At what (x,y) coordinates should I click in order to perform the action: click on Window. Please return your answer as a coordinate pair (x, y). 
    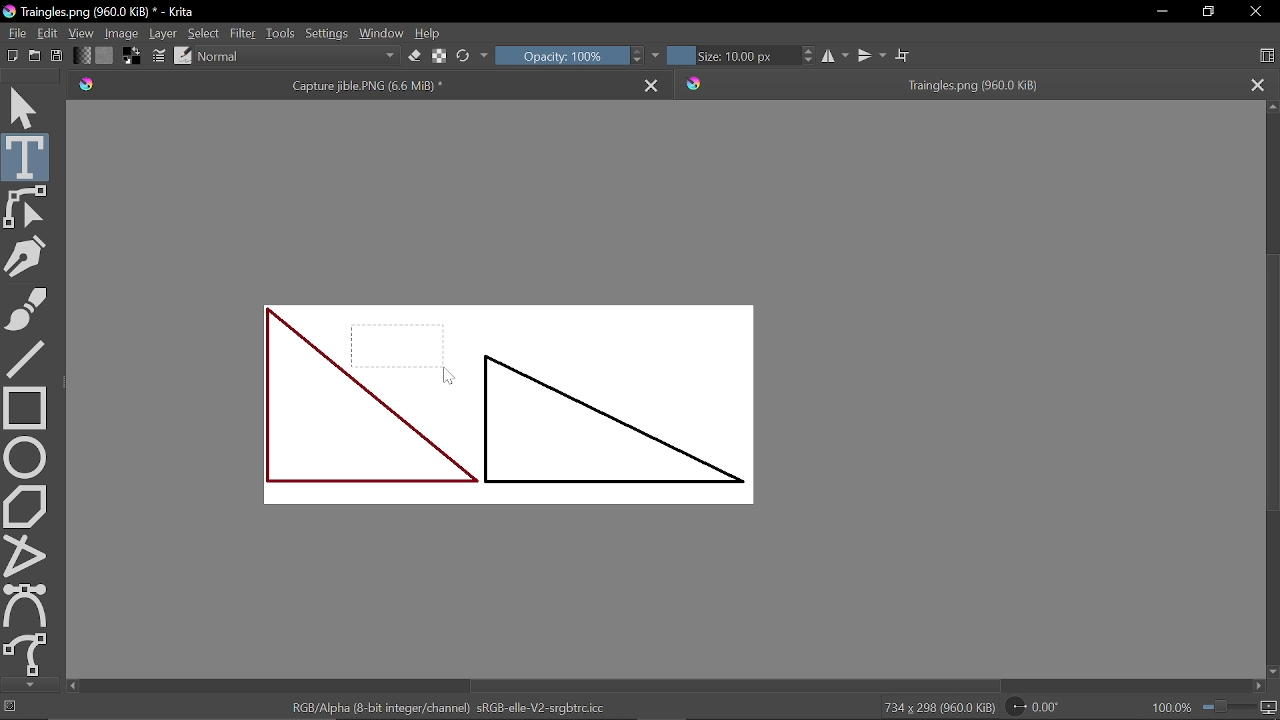
    Looking at the image, I should click on (382, 35).